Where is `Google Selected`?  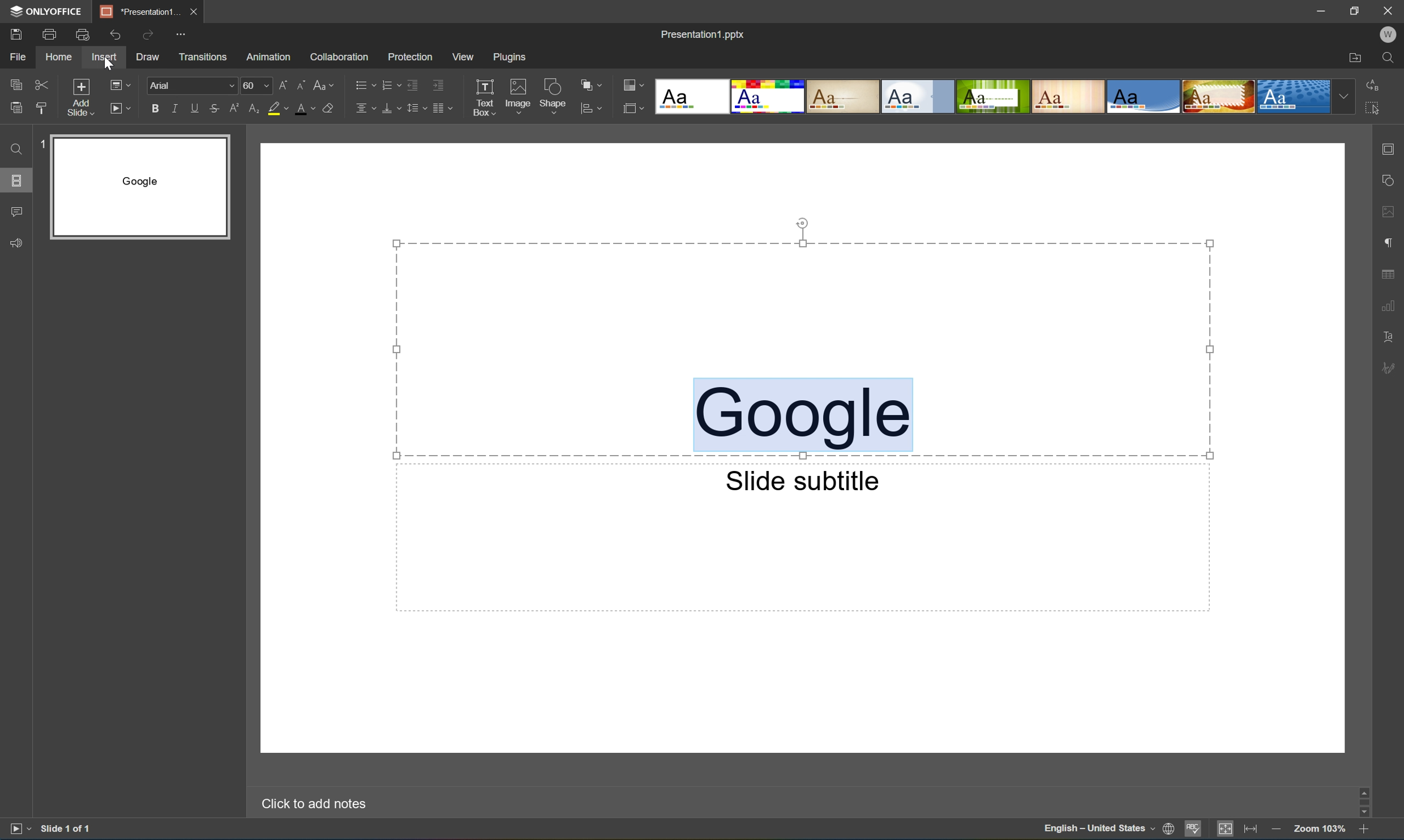 Google Selected is located at coordinates (800, 415).